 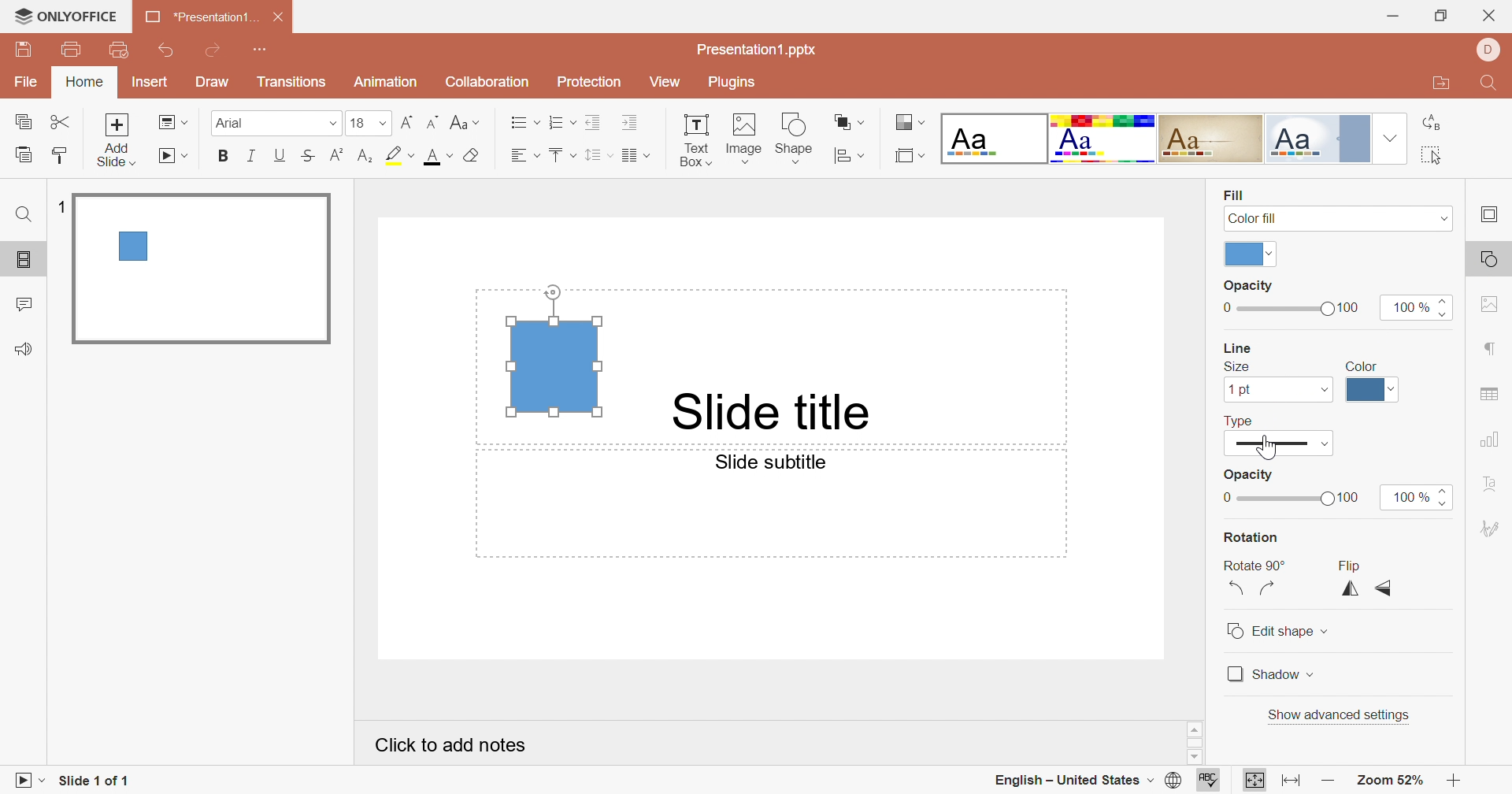 I want to click on Fit to width, so click(x=1288, y=781).